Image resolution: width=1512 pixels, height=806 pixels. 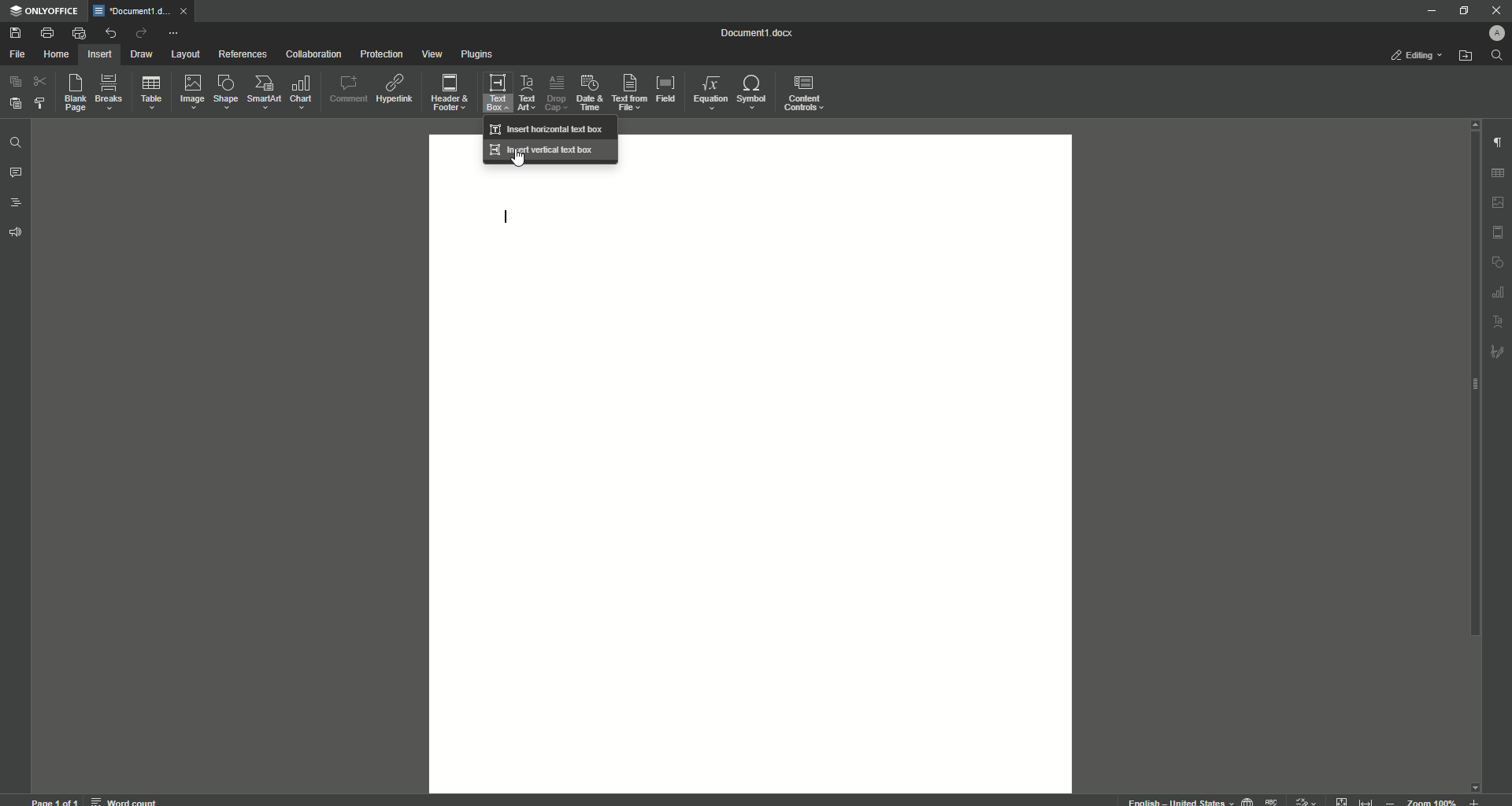 I want to click on , so click(x=381, y=56).